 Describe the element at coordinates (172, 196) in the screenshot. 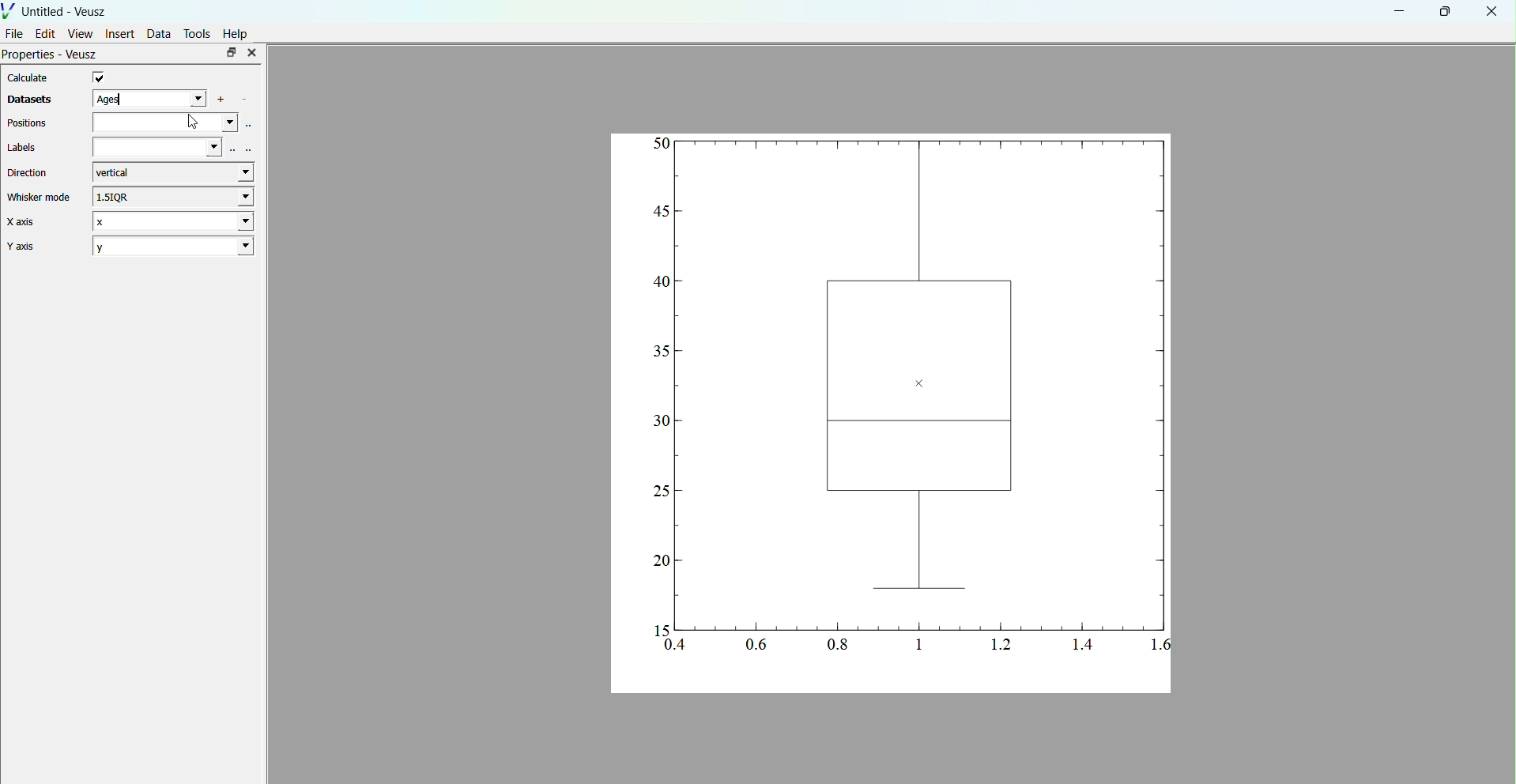

I see `1.5IQR` at that location.